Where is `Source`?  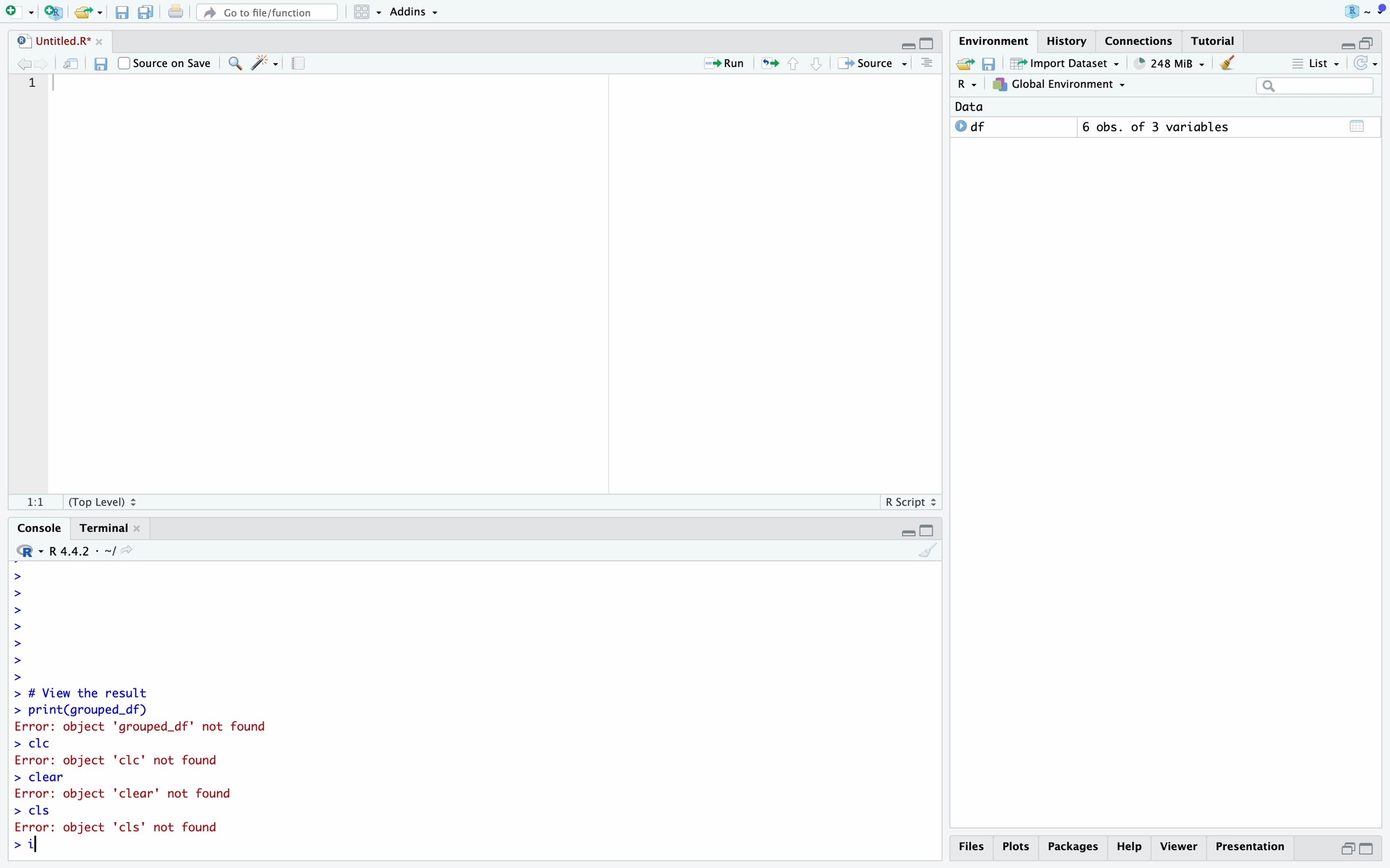 Source is located at coordinates (872, 63).